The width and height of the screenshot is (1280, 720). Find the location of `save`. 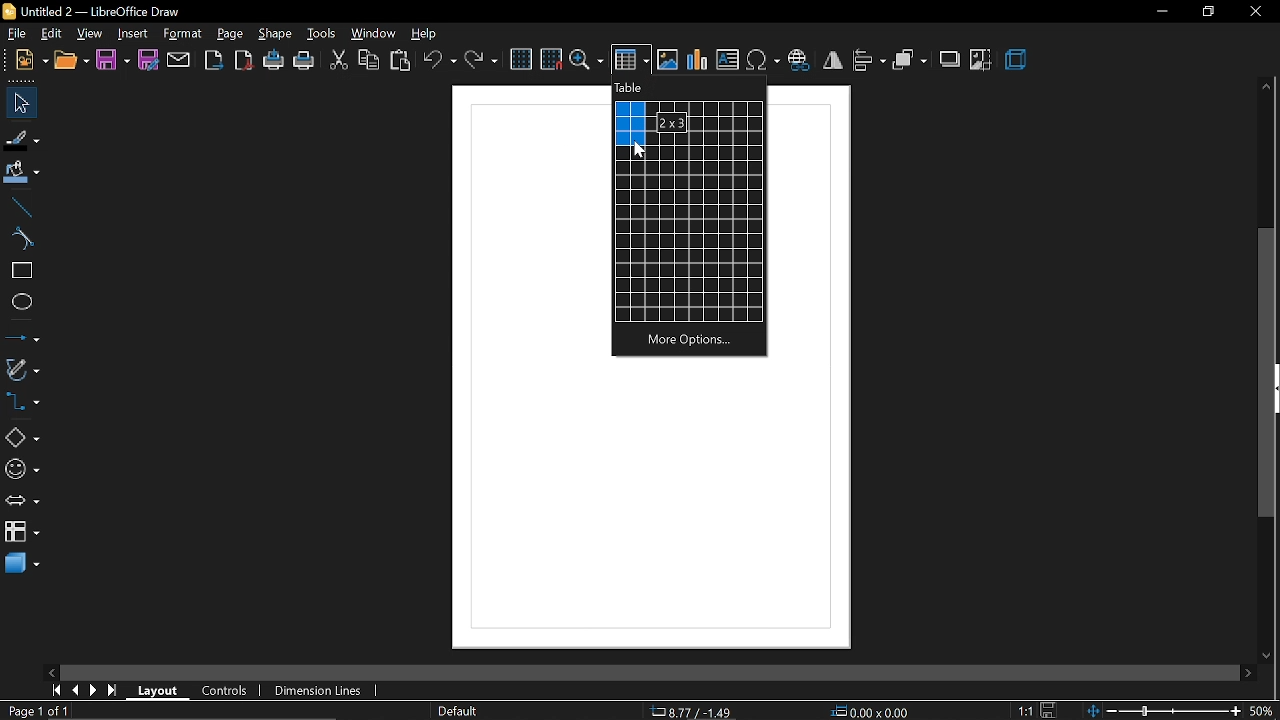

save is located at coordinates (113, 60).